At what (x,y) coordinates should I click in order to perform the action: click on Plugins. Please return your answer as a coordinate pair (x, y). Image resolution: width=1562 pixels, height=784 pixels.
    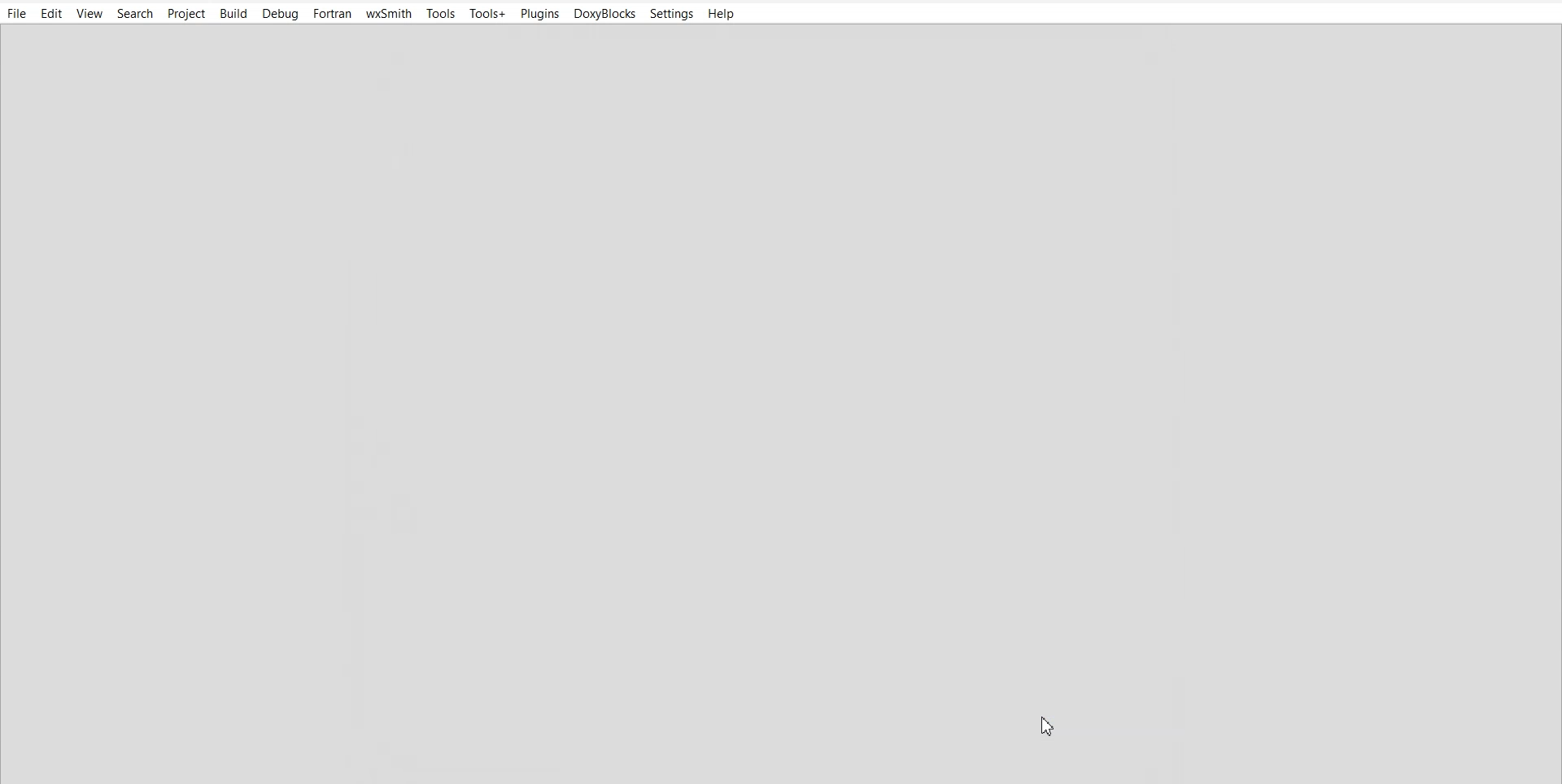
    Looking at the image, I should click on (539, 13).